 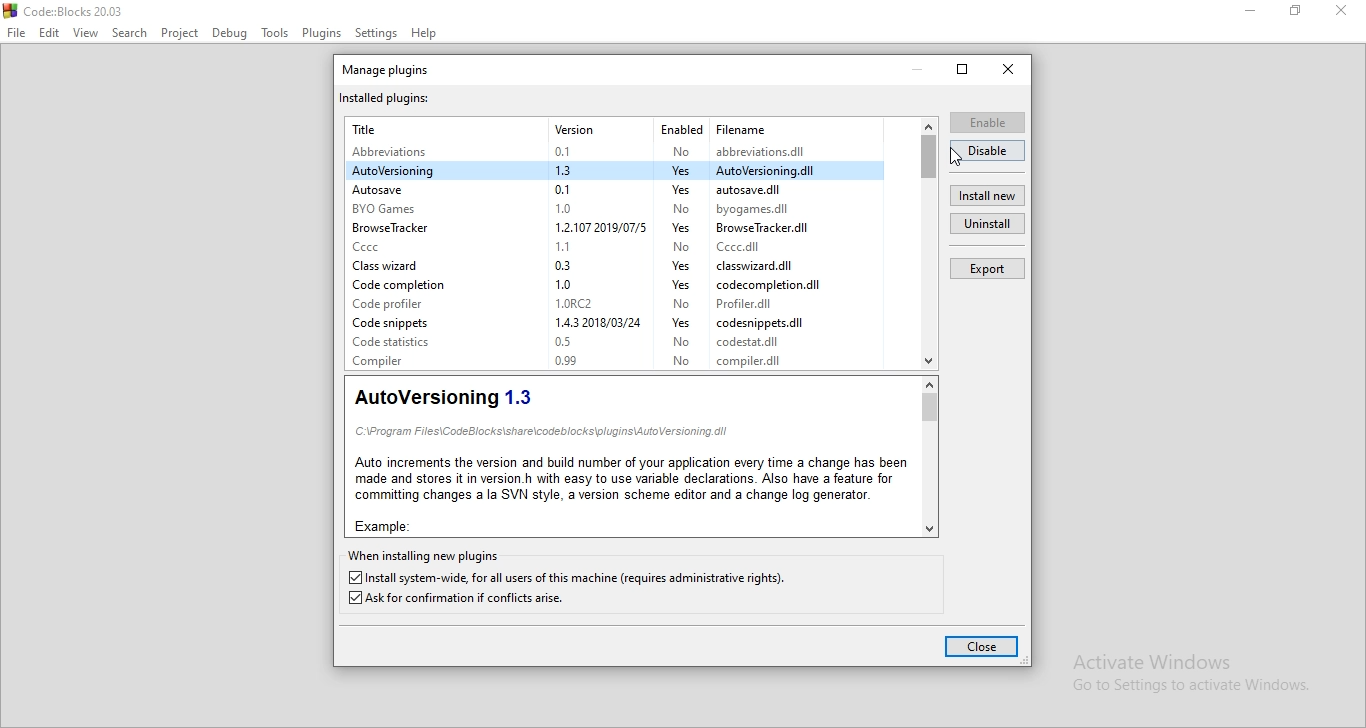 What do you see at coordinates (402, 322) in the screenshot?
I see `Code snippets` at bounding box center [402, 322].